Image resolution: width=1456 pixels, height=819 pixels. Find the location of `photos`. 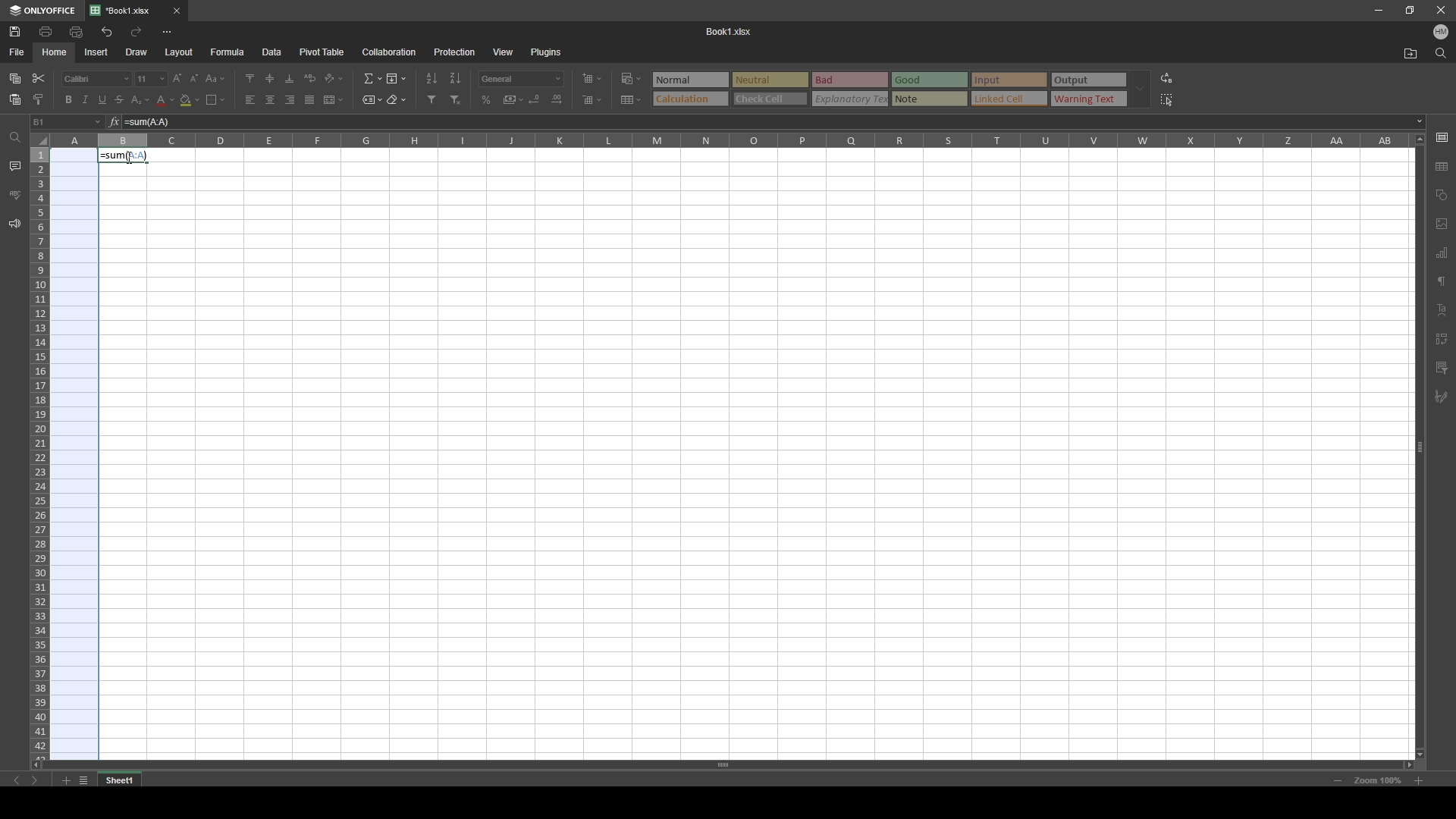

photos is located at coordinates (1442, 224).